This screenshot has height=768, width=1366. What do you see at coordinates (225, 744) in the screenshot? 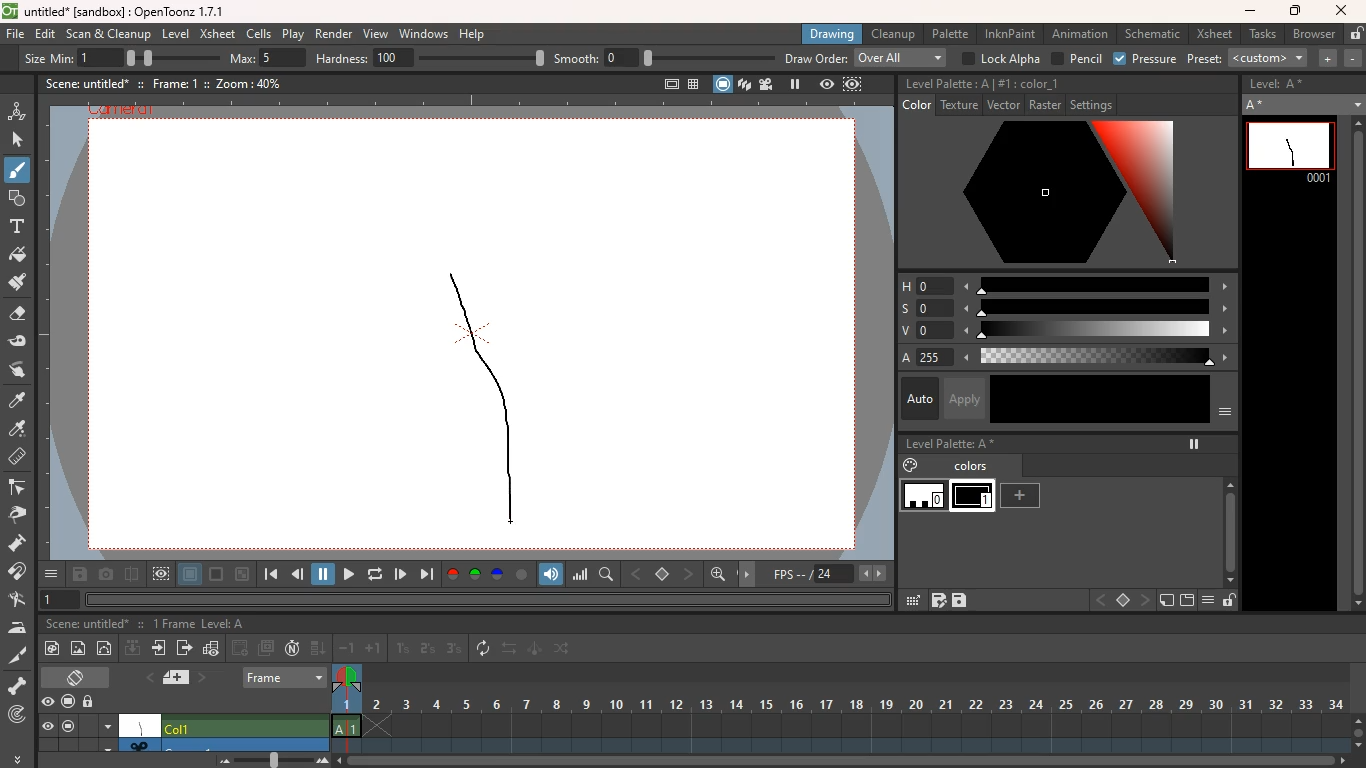
I see `another scenario` at bounding box center [225, 744].